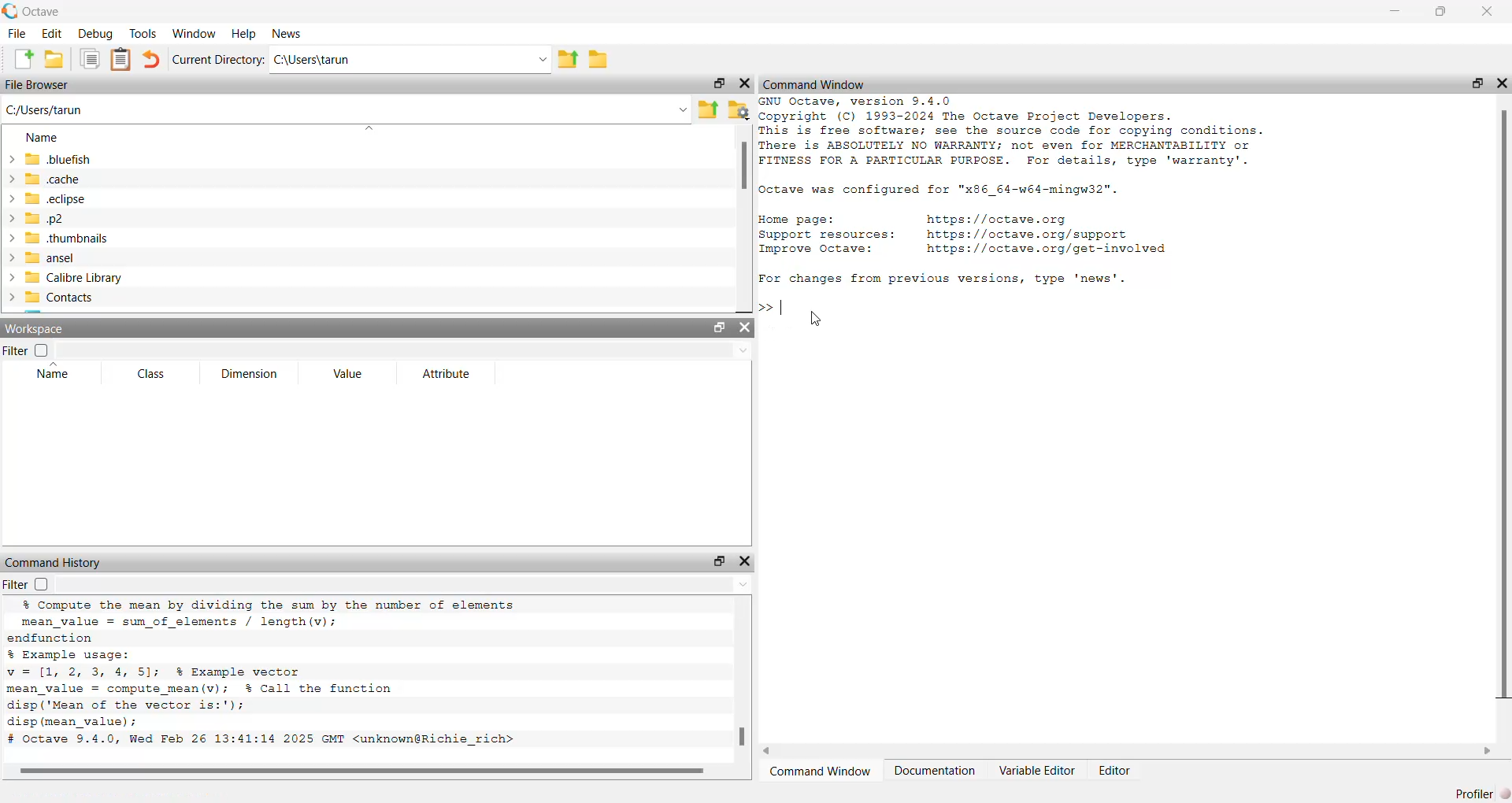 The image size is (1512, 803). What do you see at coordinates (27, 350) in the screenshot?
I see `Filter` at bounding box center [27, 350].